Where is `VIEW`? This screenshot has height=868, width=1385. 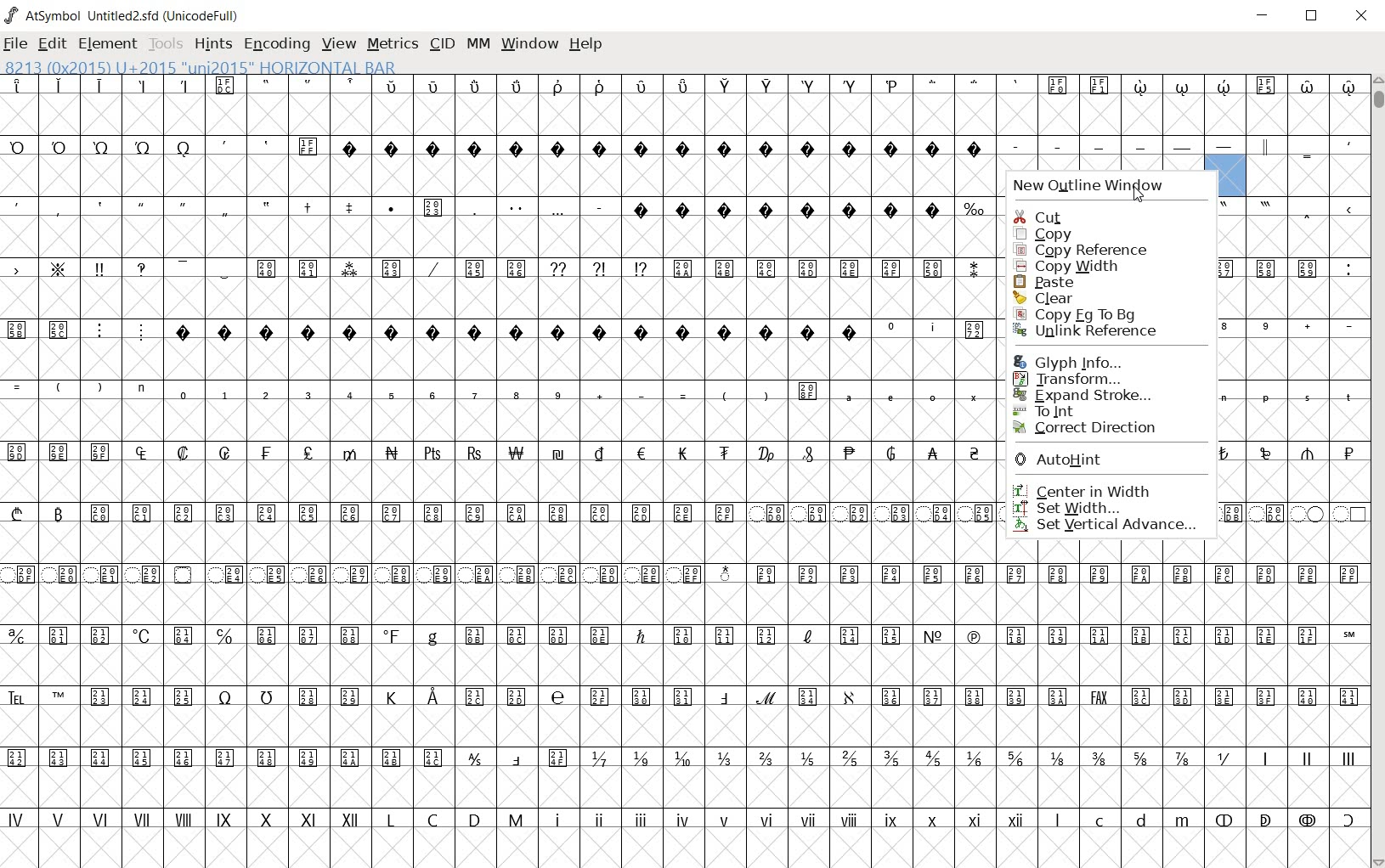
VIEW is located at coordinates (339, 45).